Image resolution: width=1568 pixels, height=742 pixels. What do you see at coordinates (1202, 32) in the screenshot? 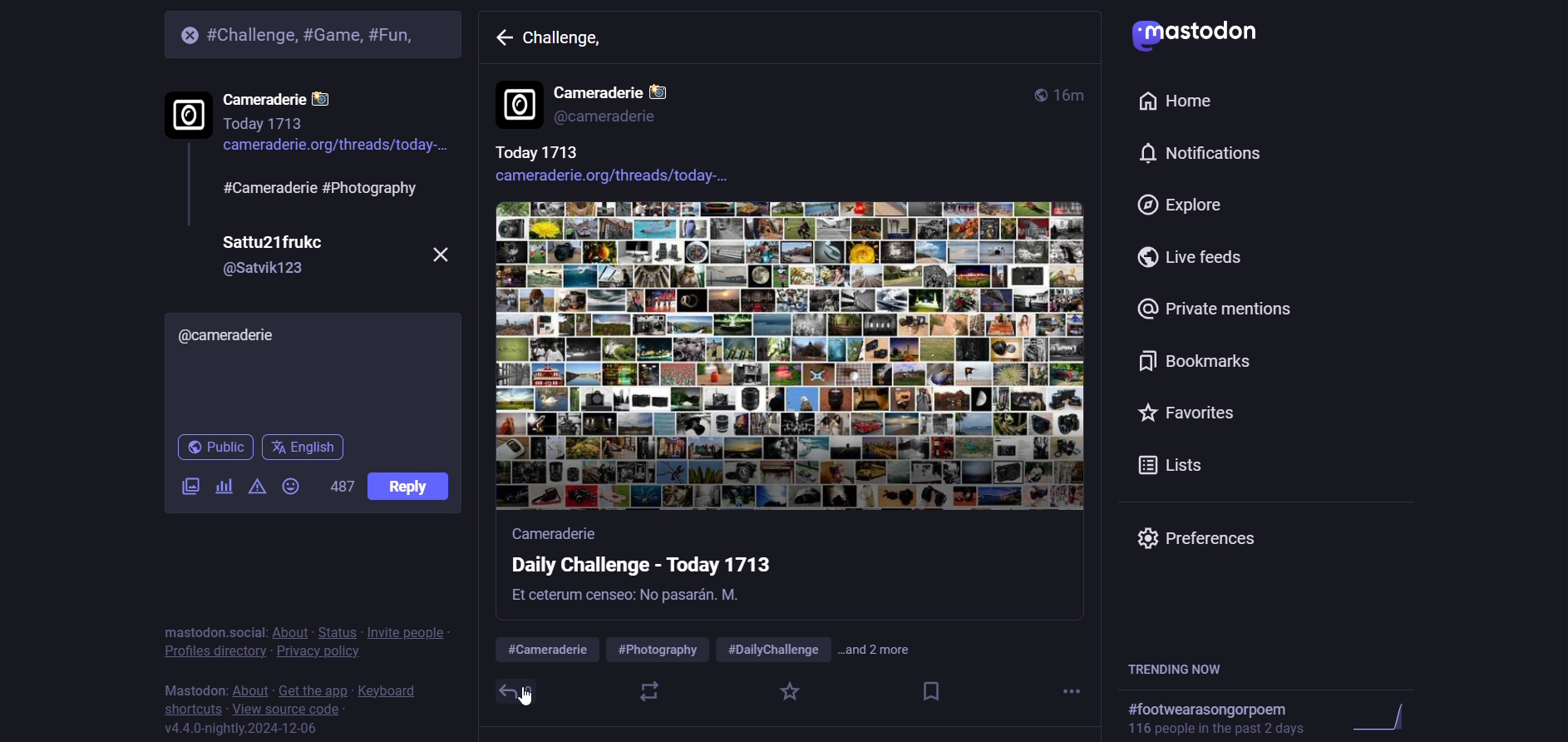
I see `mastodon` at bounding box center [1202, 32].